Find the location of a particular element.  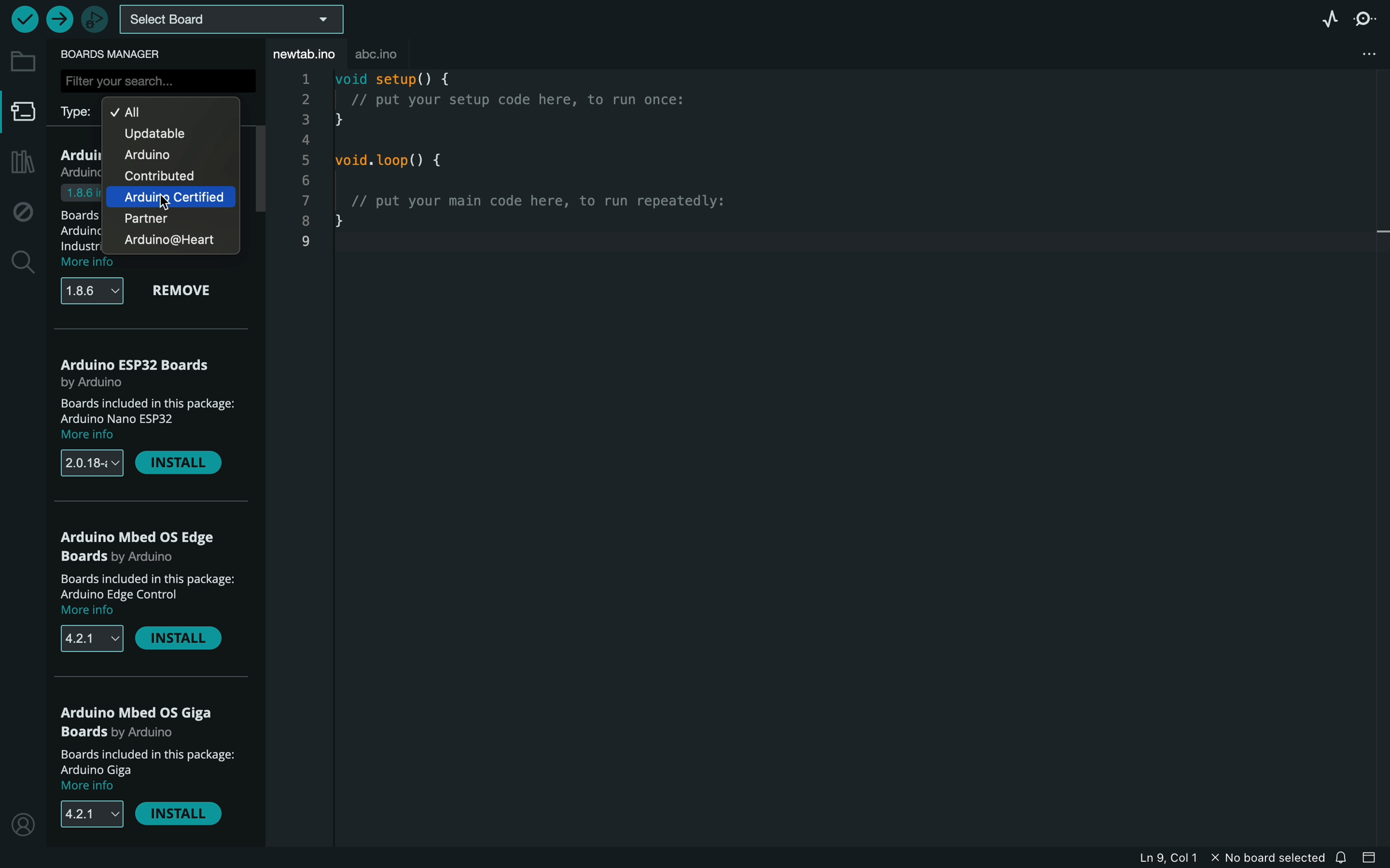

abc .ino is located at coordinates (389, 51).